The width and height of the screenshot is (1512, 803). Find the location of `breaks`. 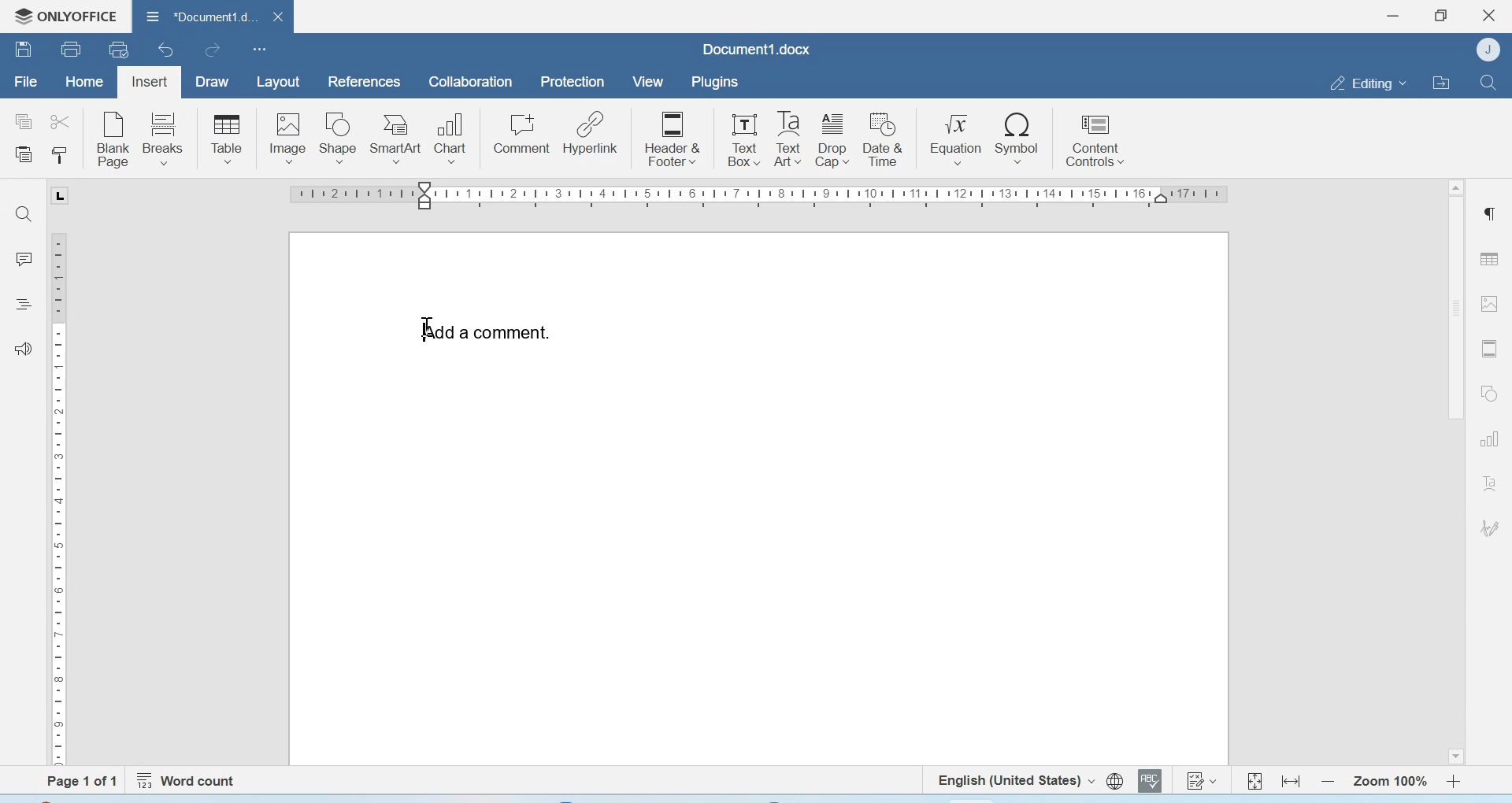

breaks is located at coordinates (164, 137).